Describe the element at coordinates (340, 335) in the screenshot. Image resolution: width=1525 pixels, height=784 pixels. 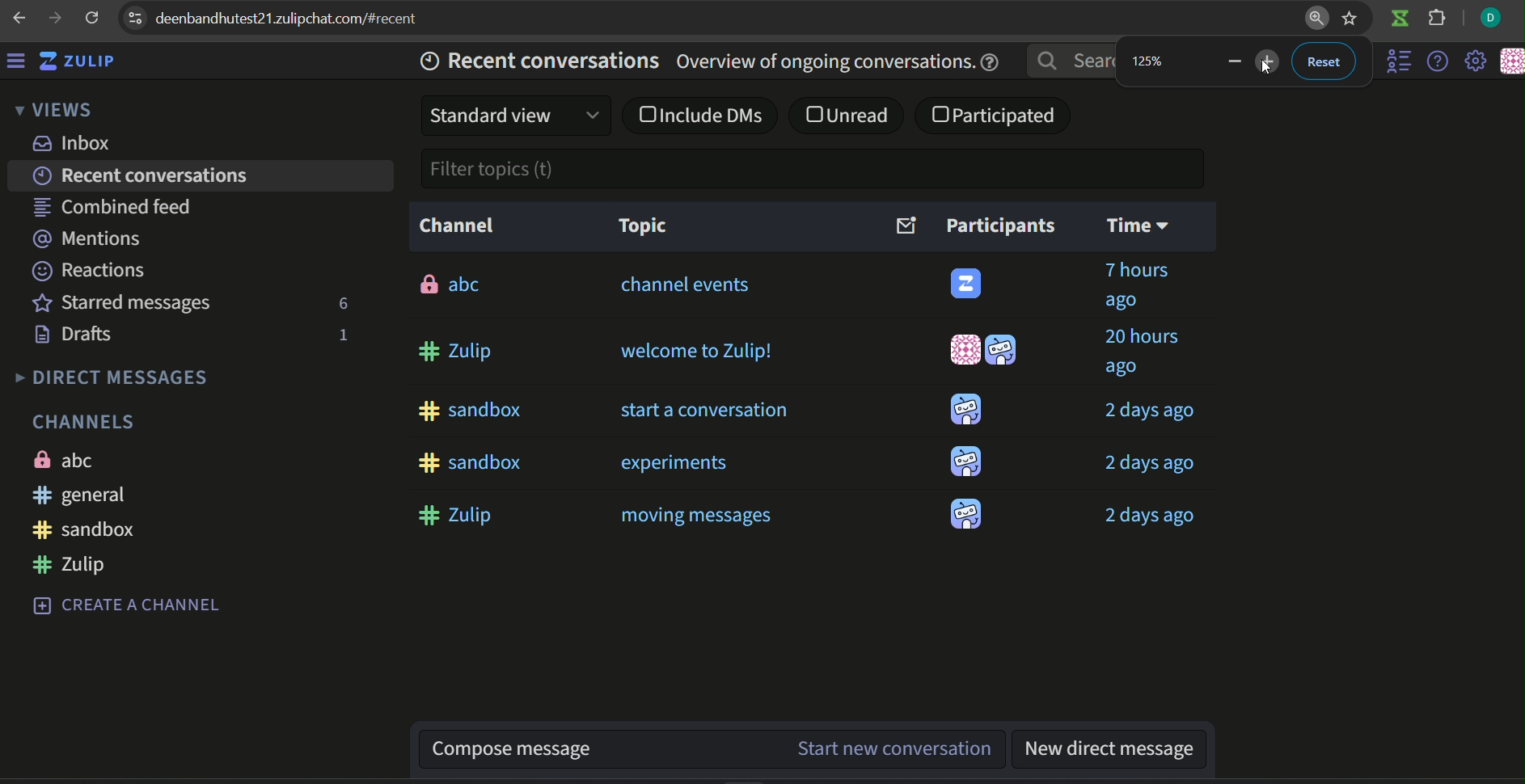
I see `number` at that location.